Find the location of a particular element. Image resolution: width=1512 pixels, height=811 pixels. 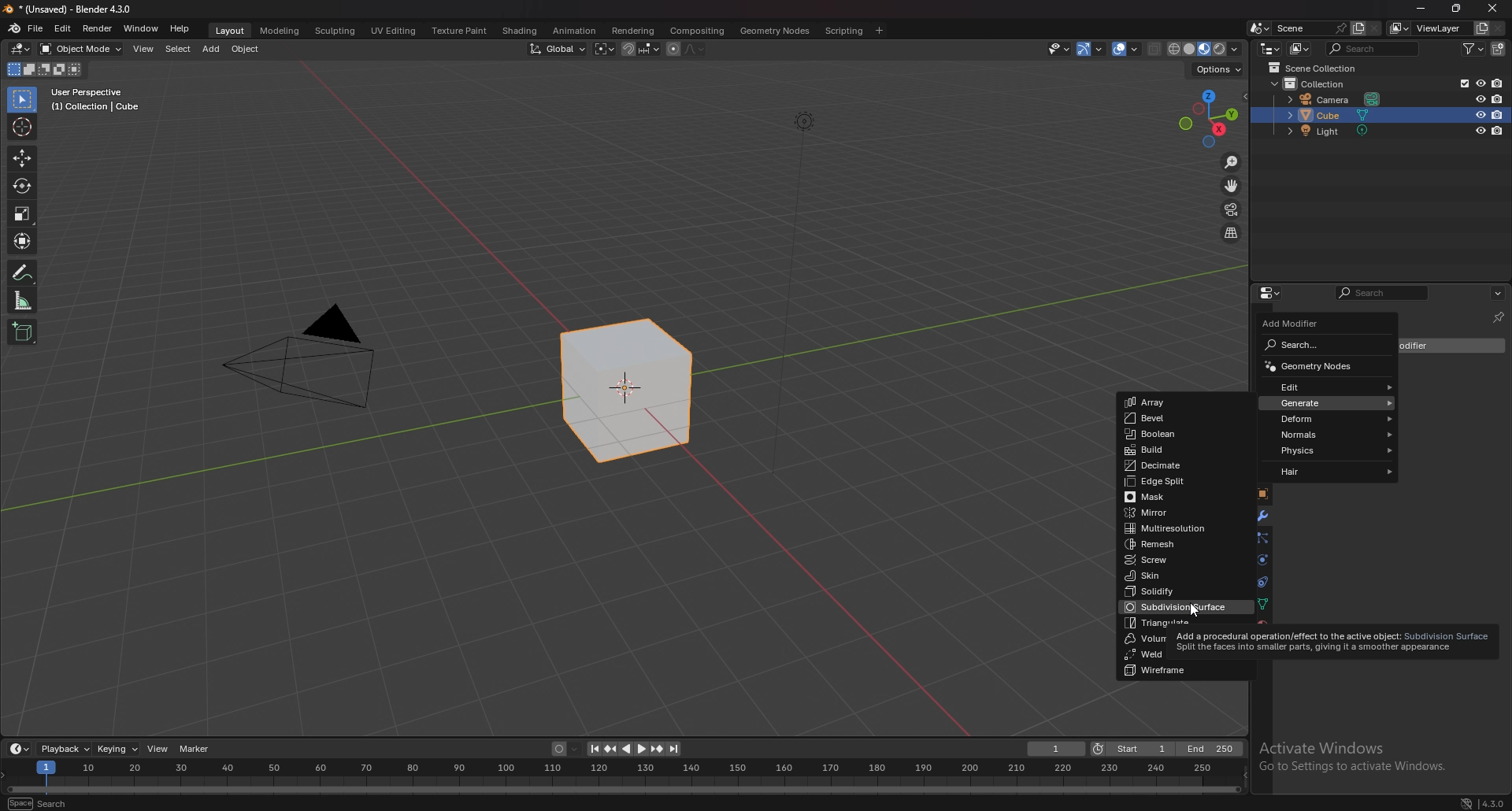

add collection is located at coordinates (1498, 49).